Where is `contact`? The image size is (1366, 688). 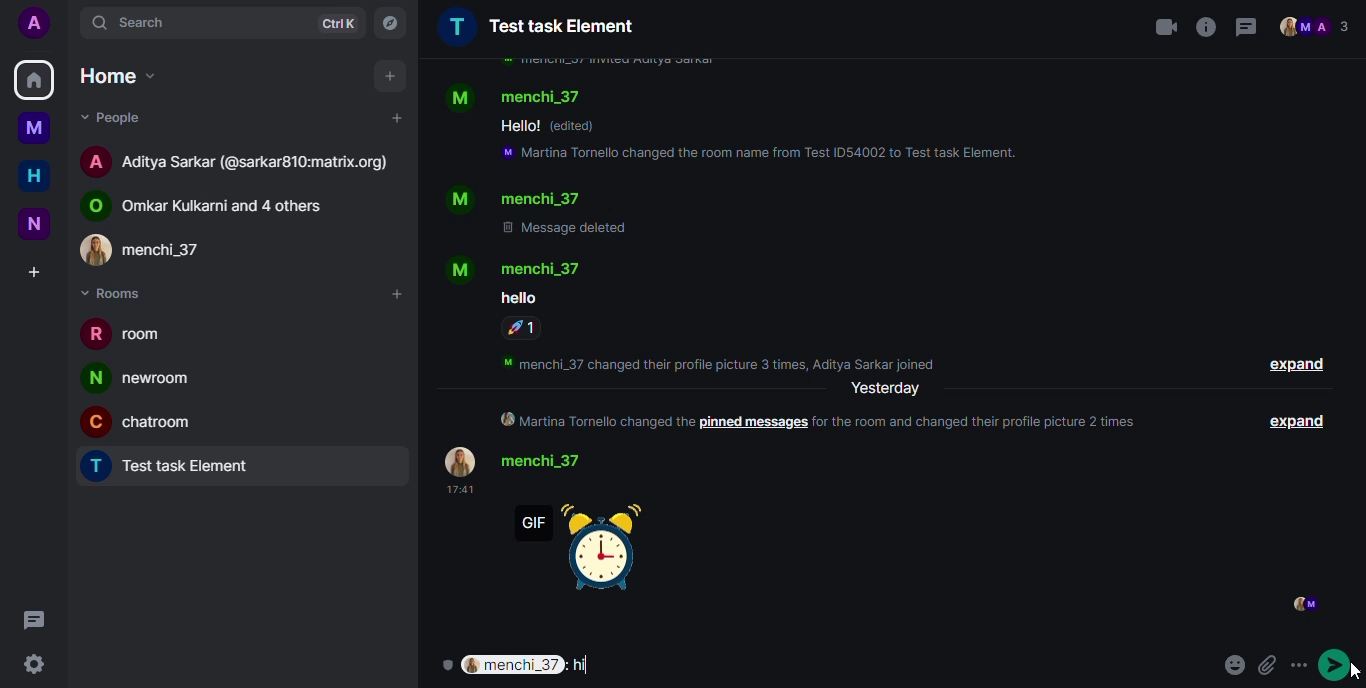 contact is located at coordinates (159, 248).